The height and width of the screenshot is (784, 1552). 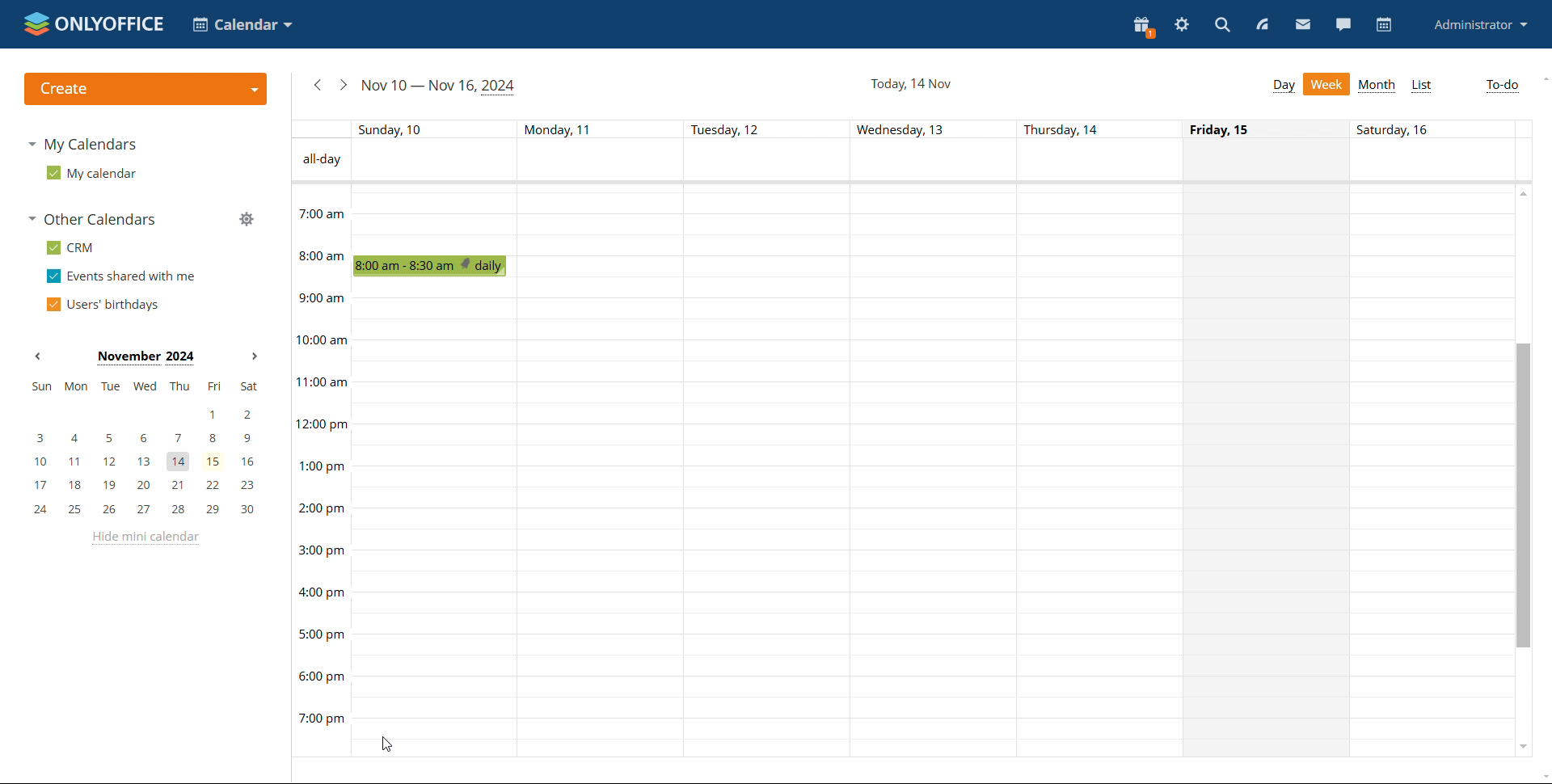 I want to click on scroll down, so click(x=1542, y=777).